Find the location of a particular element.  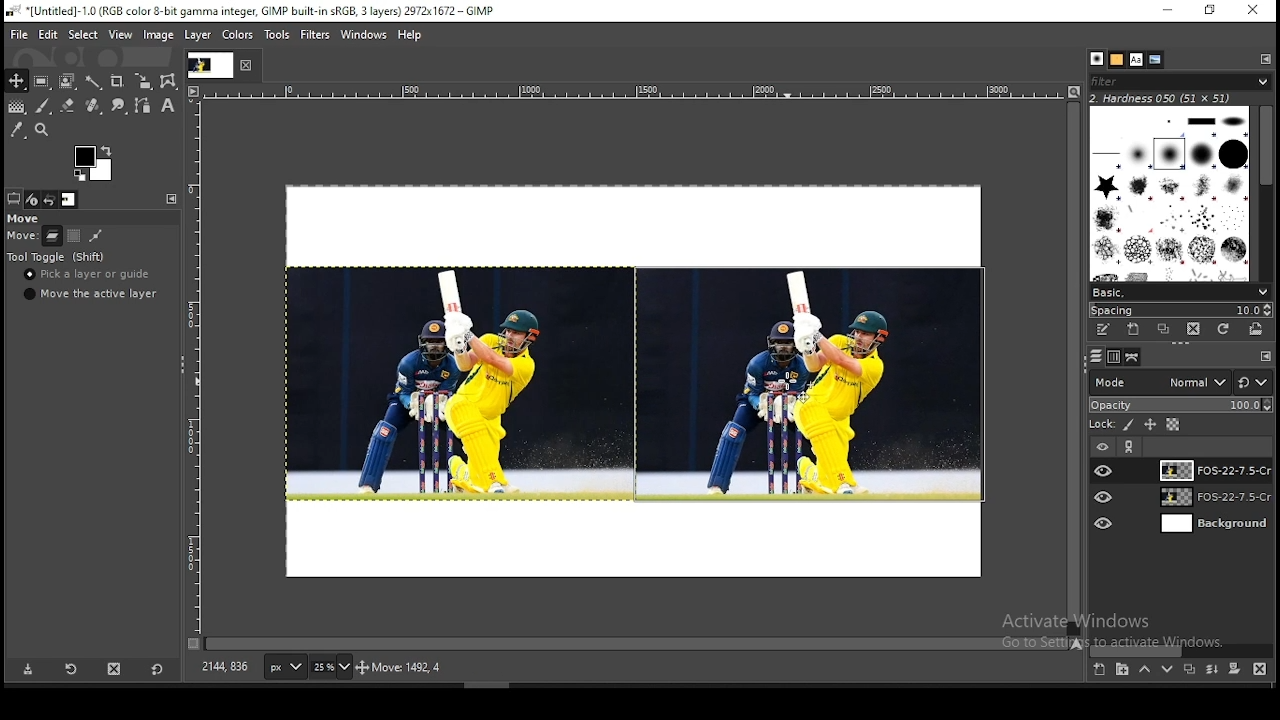

layer visibility on/off is located at coordinates (1104, 470).